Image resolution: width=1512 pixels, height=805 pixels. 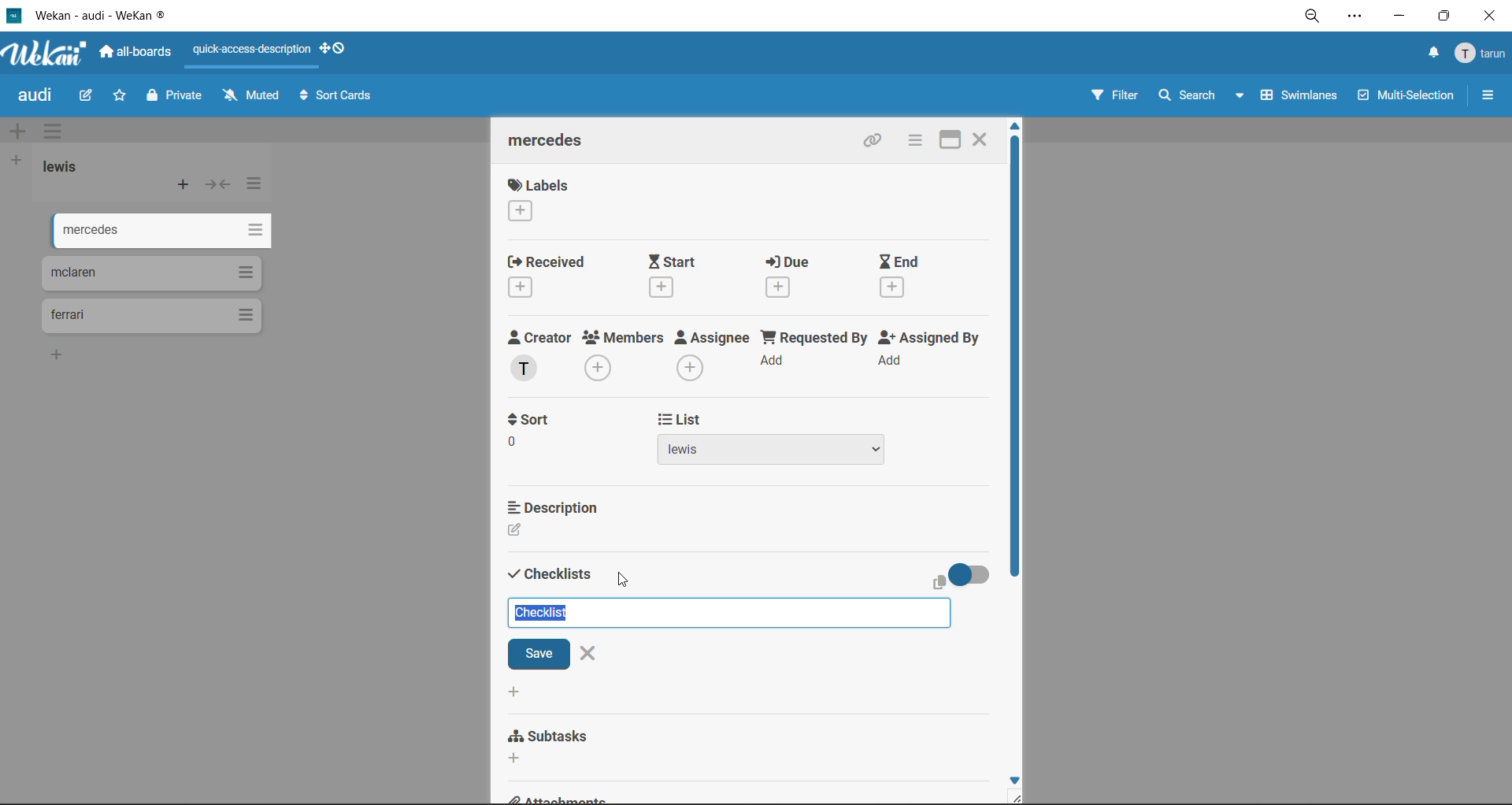 I want to click on edit, so click(x=87, y=95).